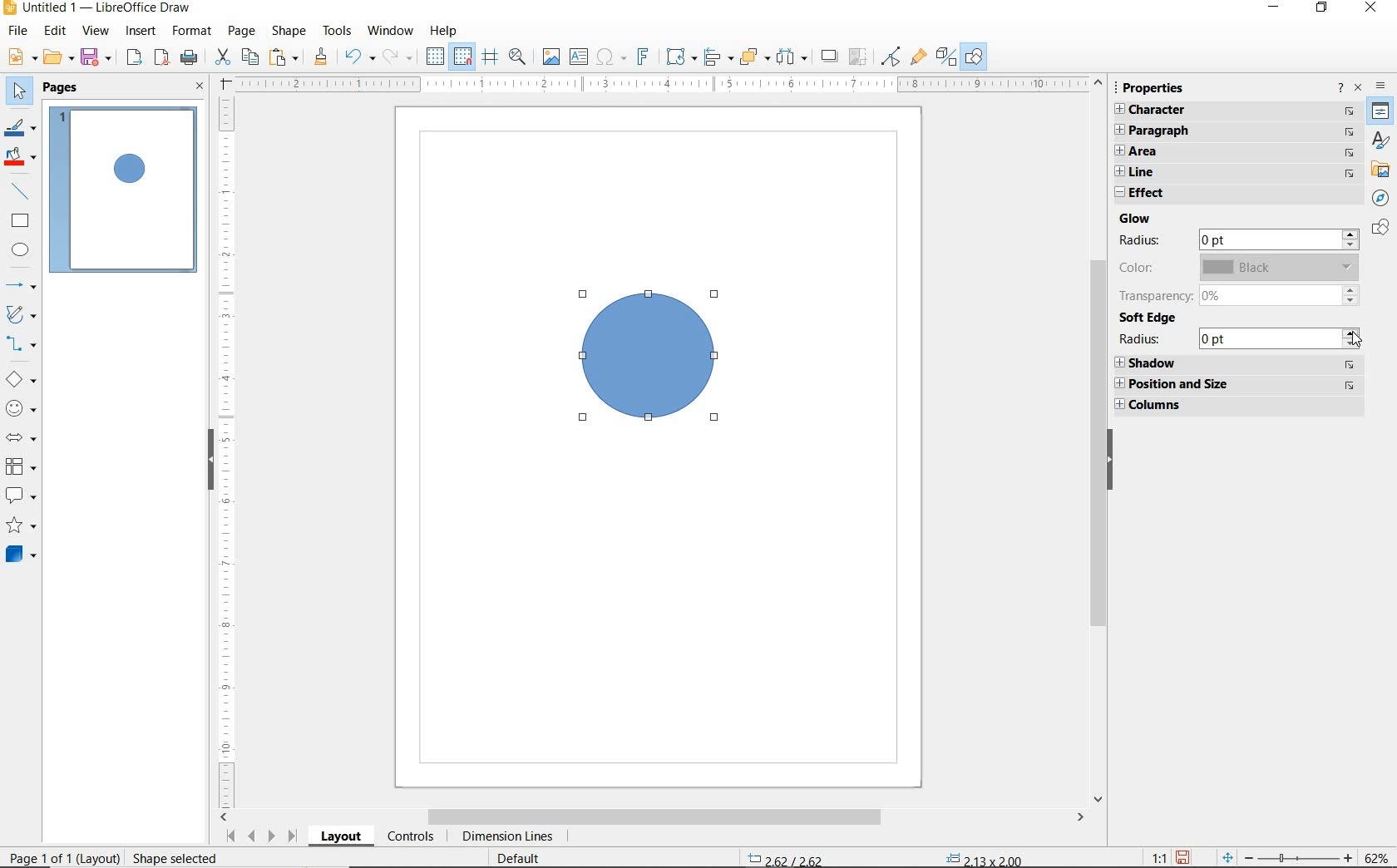 The image size is (1397, 868). Describe the element at coordinates (1381, 85) in the screenshot. I see `SIDEBAR SETTINGS` at that location.